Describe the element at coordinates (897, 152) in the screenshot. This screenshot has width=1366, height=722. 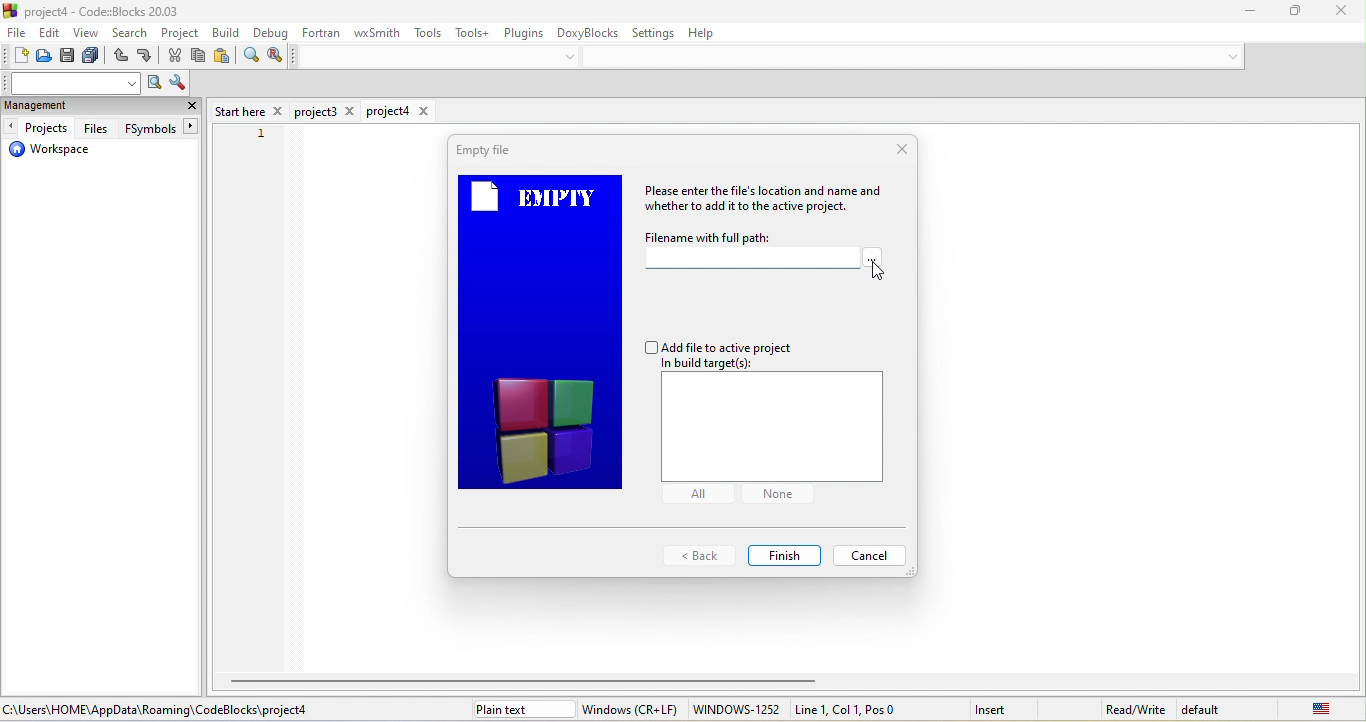
I see `close` at that location.